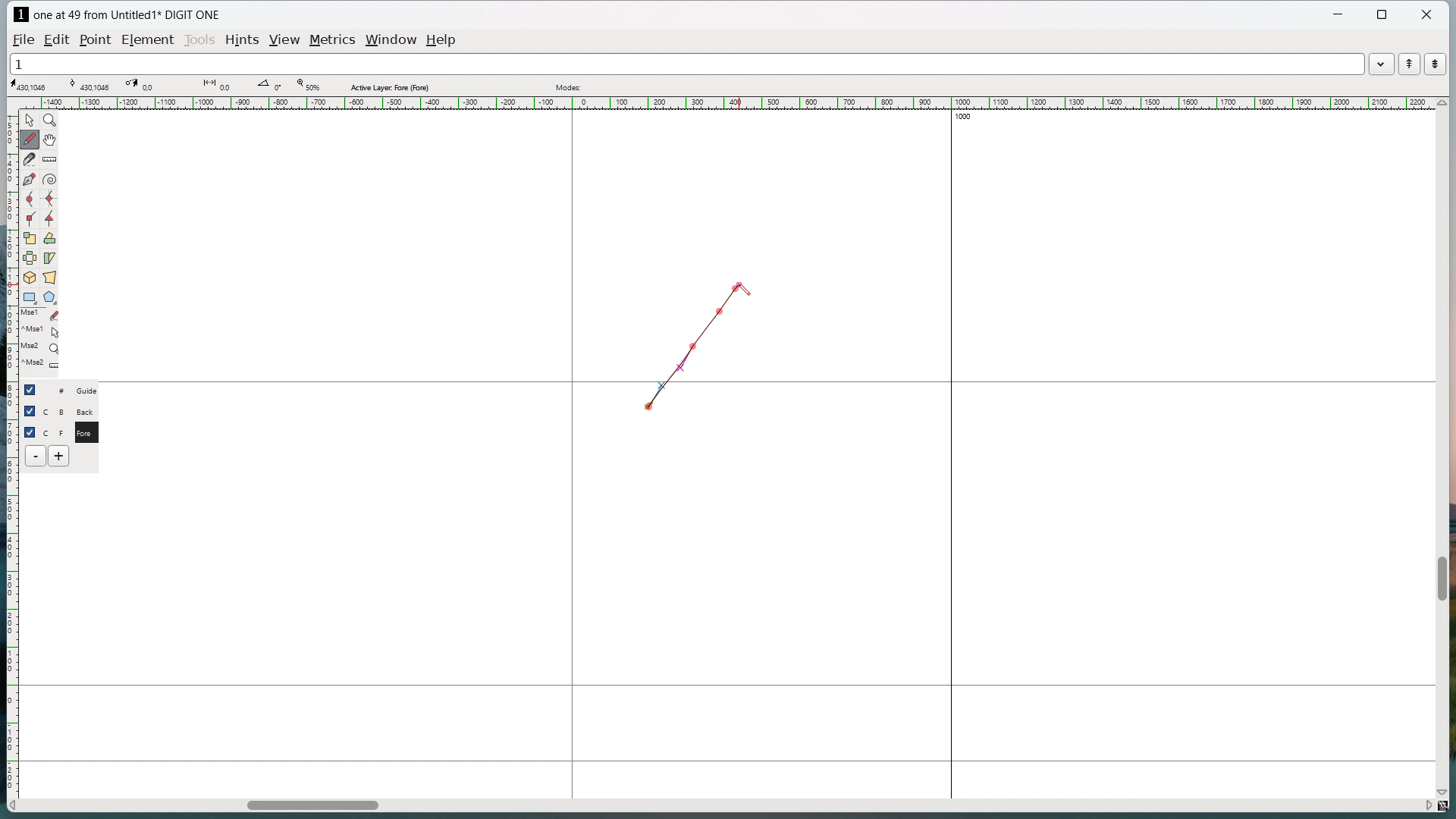 The height and width of the screenshot is (819, 1456). Describe the element at coordinates (307, 85) in the screenshot. I see `Zoom level ` at that location.